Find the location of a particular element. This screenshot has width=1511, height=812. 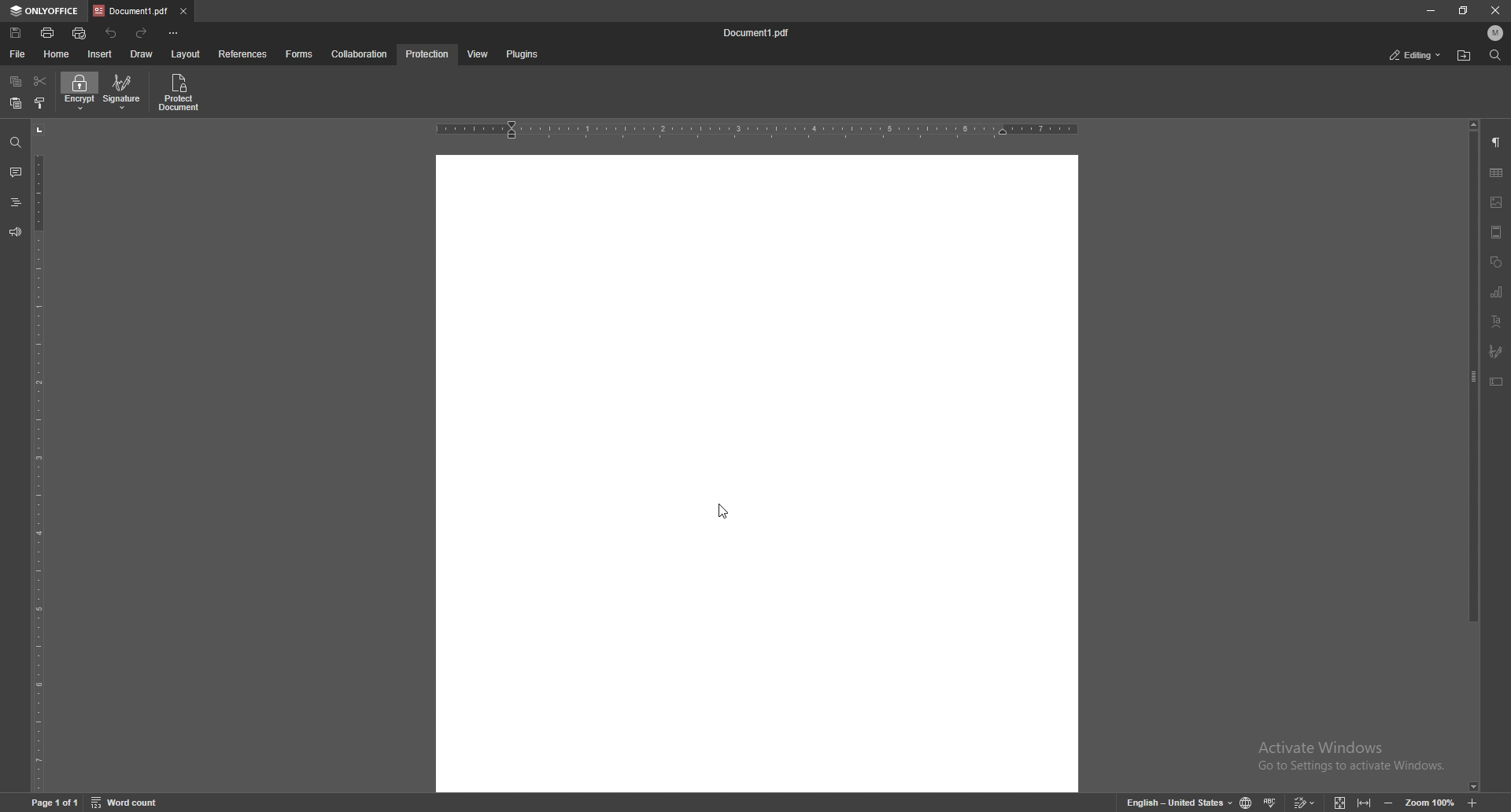

plugins is located at coordinates (524, 54).